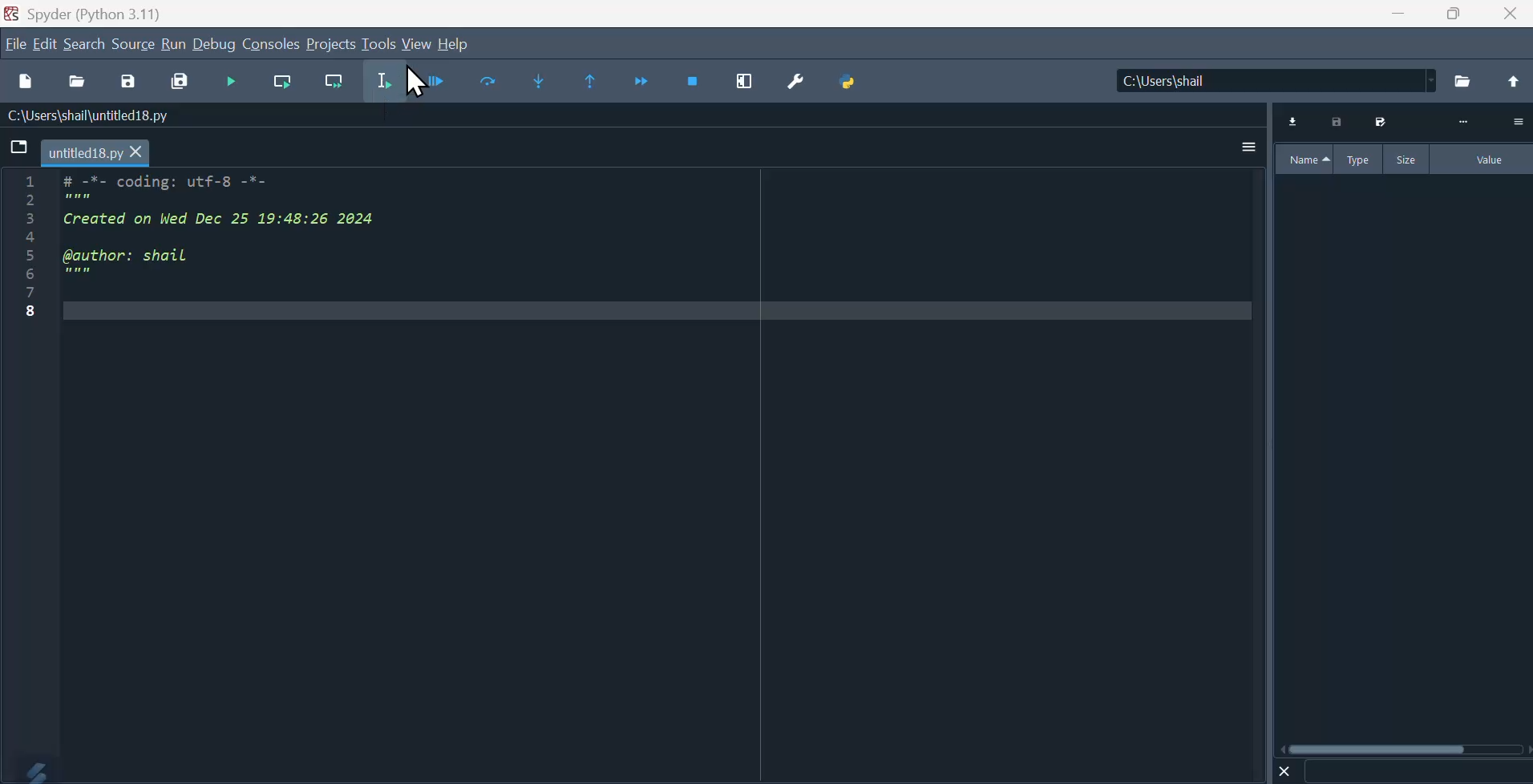 The image size is (1533, 784). What do you see at coordinates (1395, 14) in the screenshot?
I see `minimize` at bounding box center [1395, 14].